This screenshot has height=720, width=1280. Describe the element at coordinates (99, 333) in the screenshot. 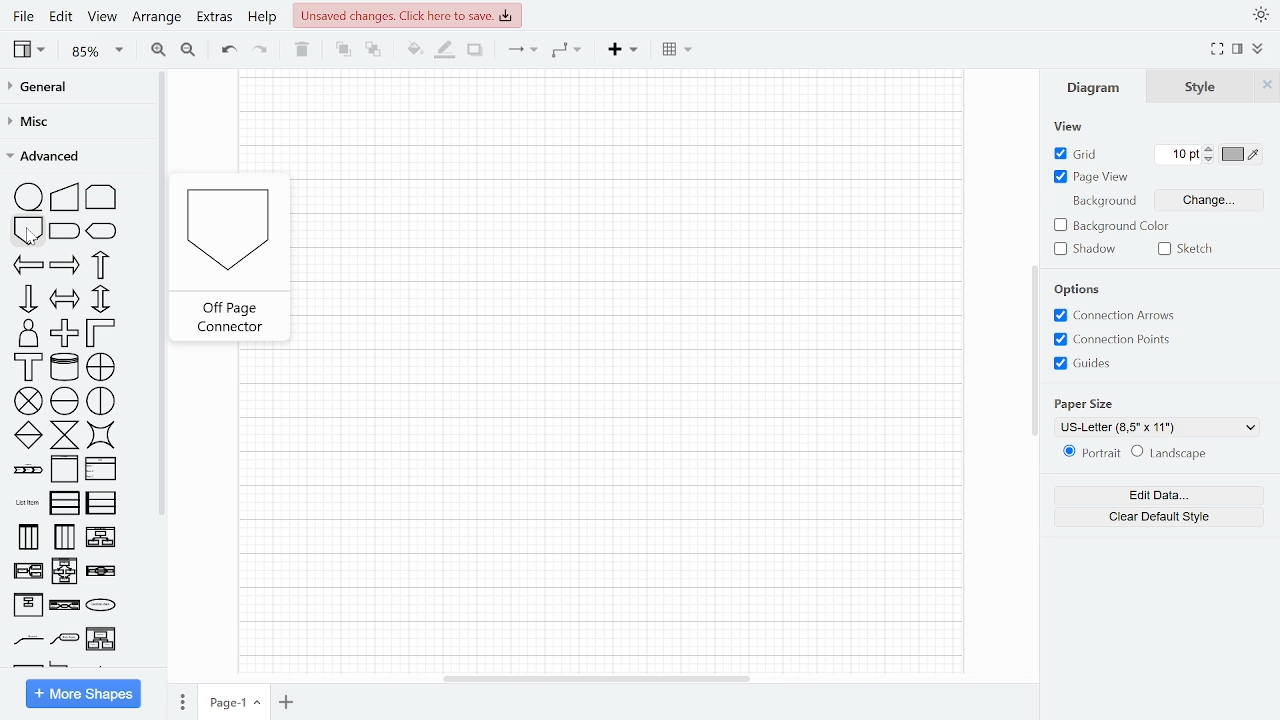

I see `corner` at that location.